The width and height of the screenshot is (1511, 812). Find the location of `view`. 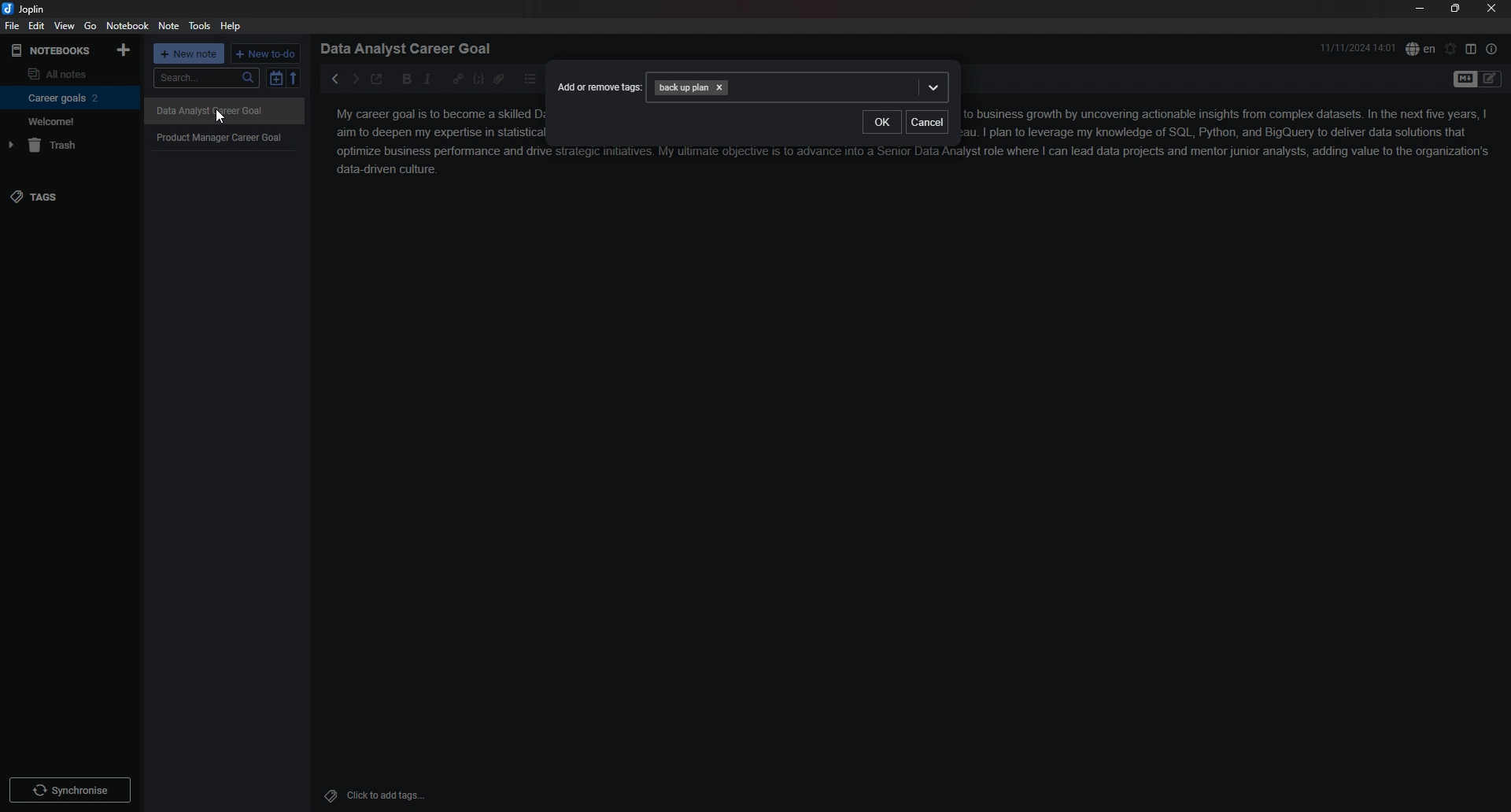

view is located at coordinates (65, 26).